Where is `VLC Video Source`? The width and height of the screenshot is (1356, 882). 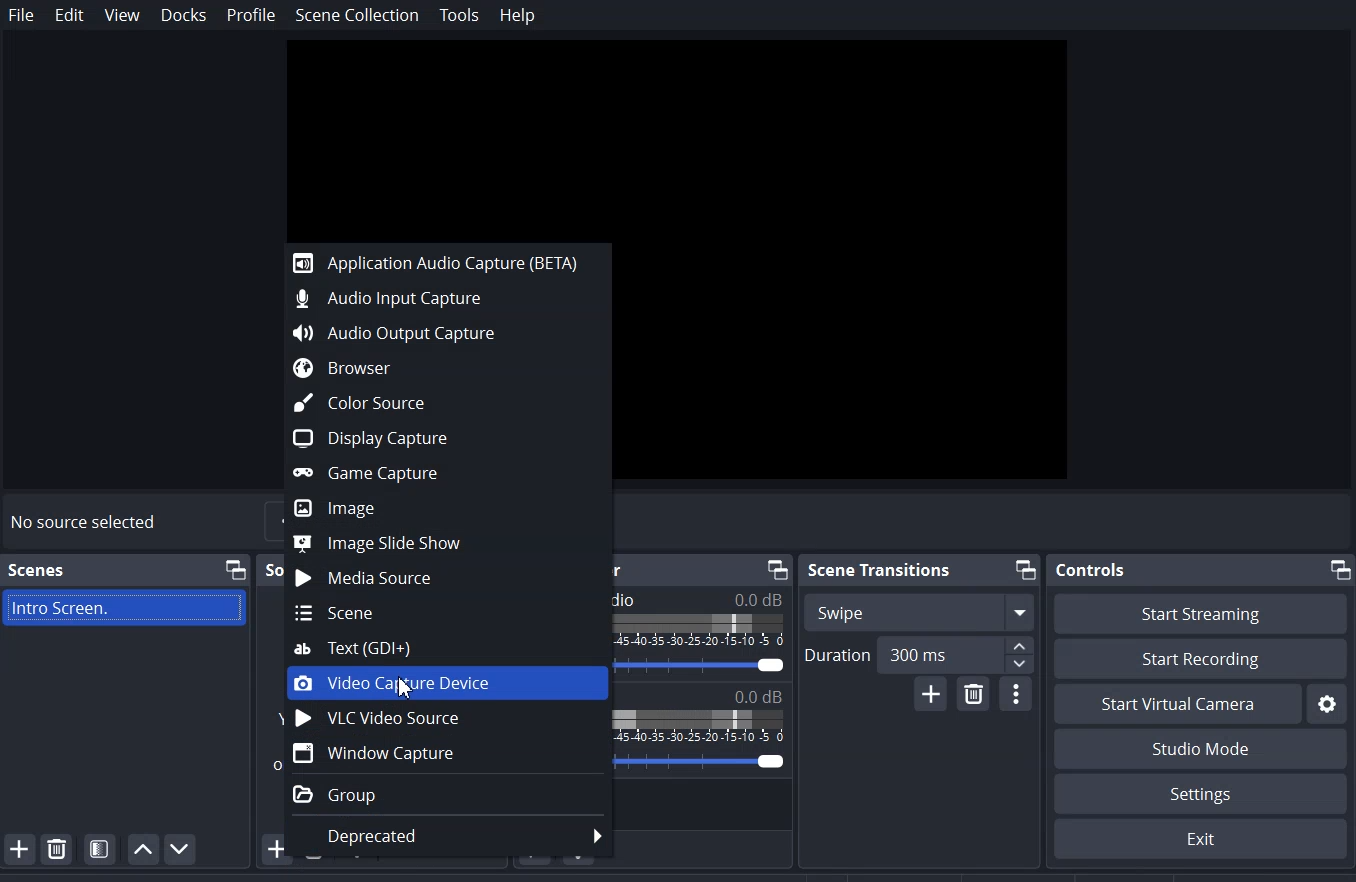 VLC Video Source is located at coordinates (436, 720).